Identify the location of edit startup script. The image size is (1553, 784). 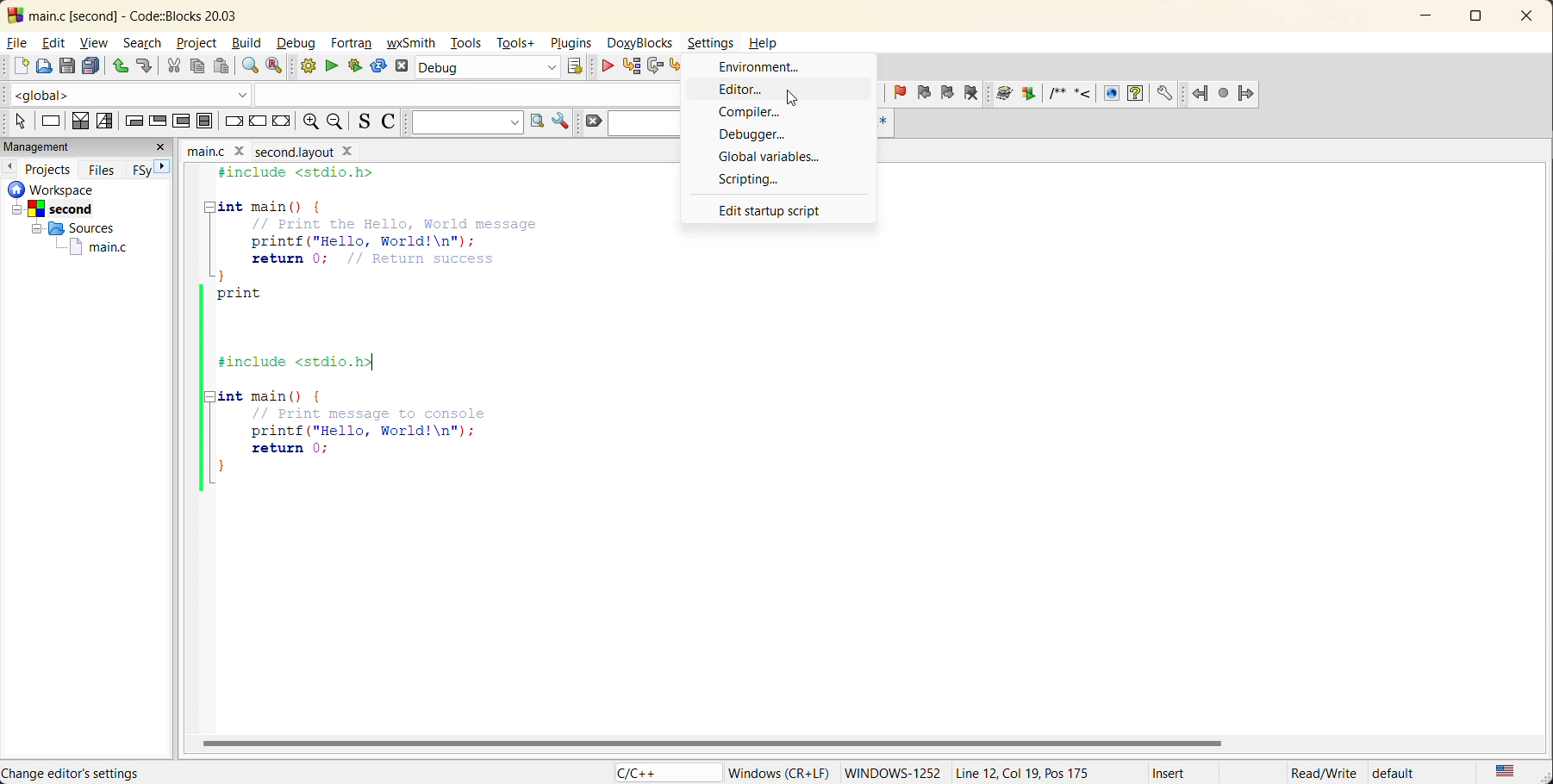
(775, 211).